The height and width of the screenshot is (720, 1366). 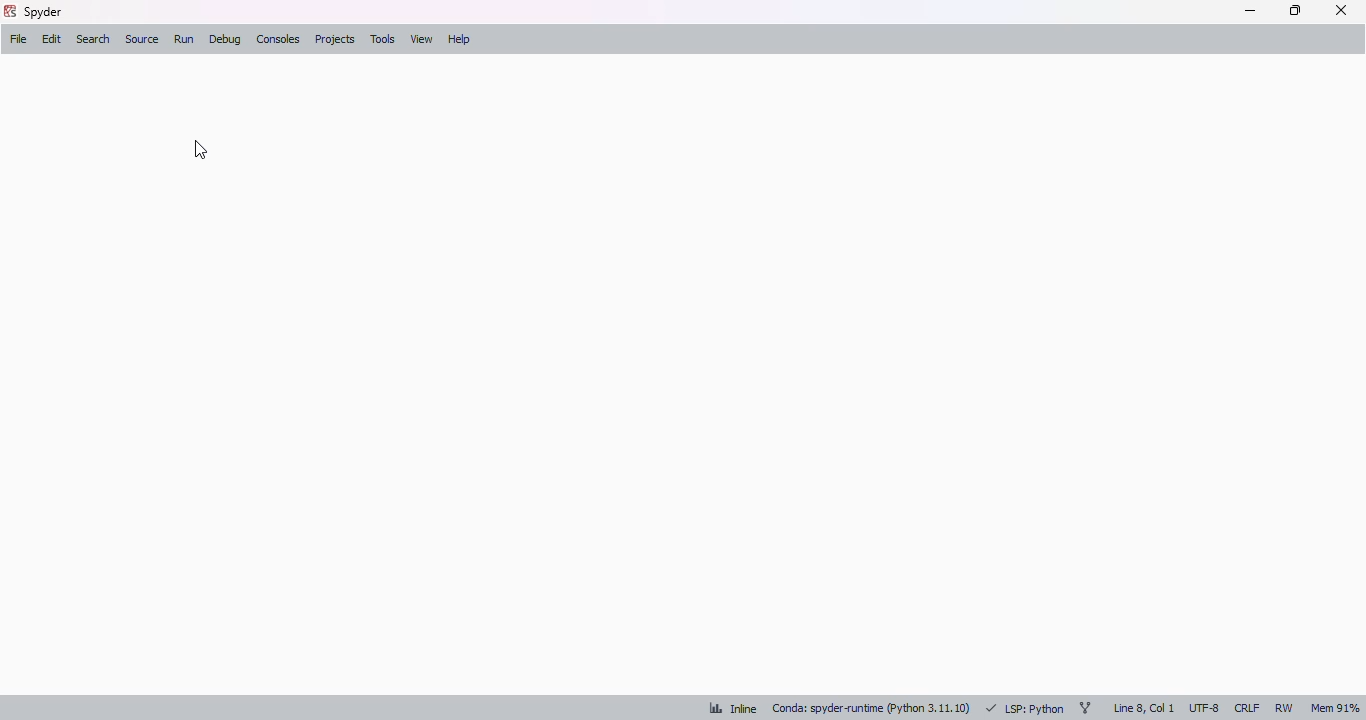 I want to click on LSP: python, so click(x=1024, y=709).